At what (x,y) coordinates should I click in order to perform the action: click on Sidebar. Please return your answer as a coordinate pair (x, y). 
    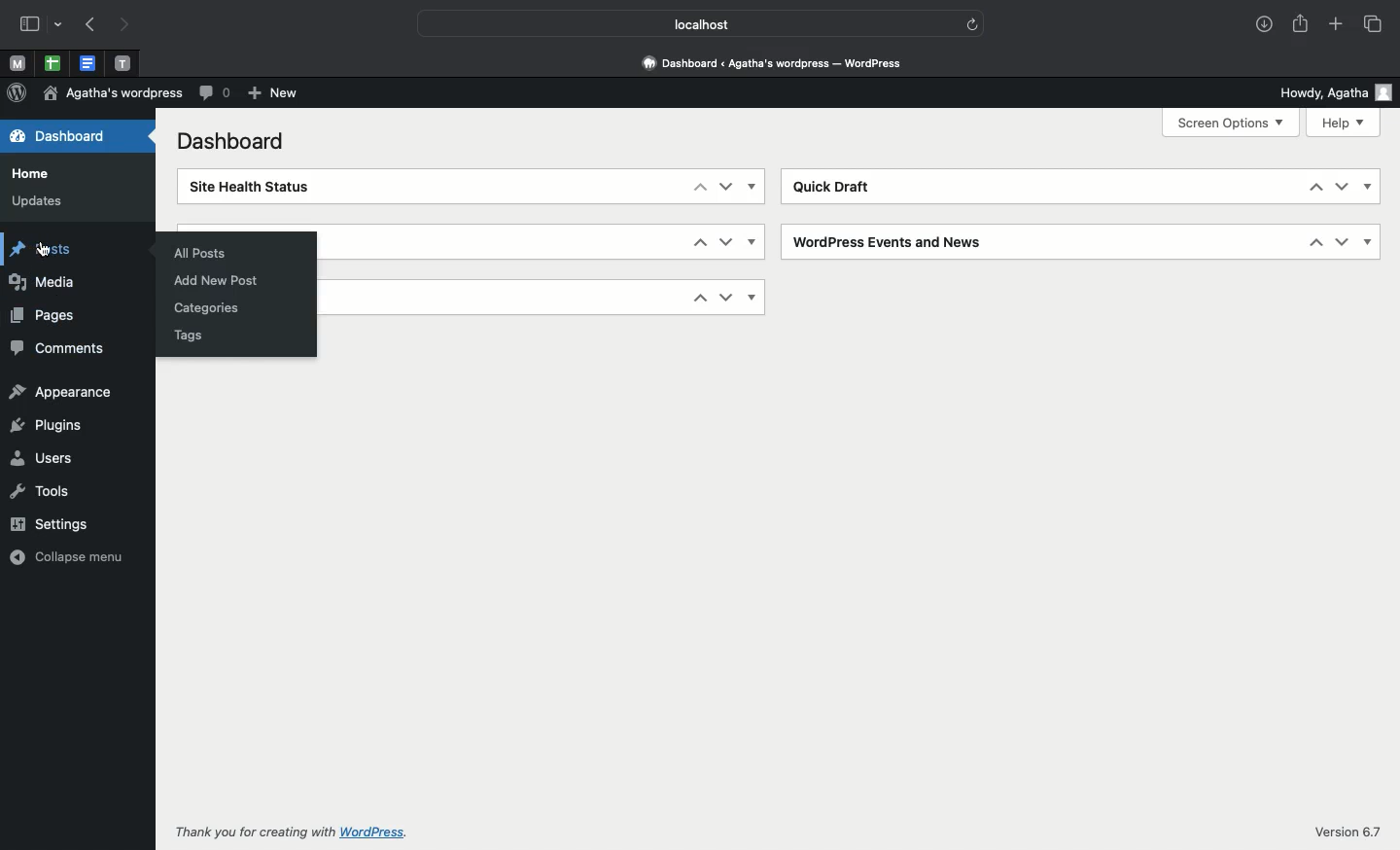
    Looking at the image, I should click on (42, 25).